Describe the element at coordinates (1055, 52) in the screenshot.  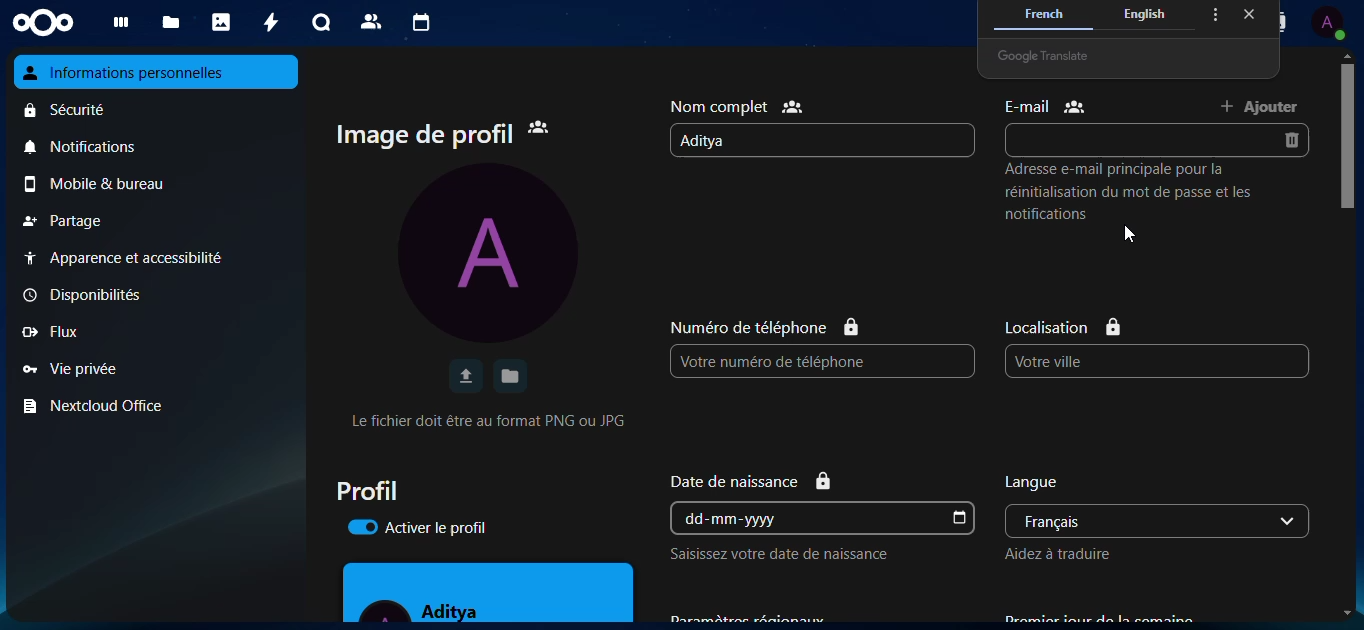
I see `translate` at that location.